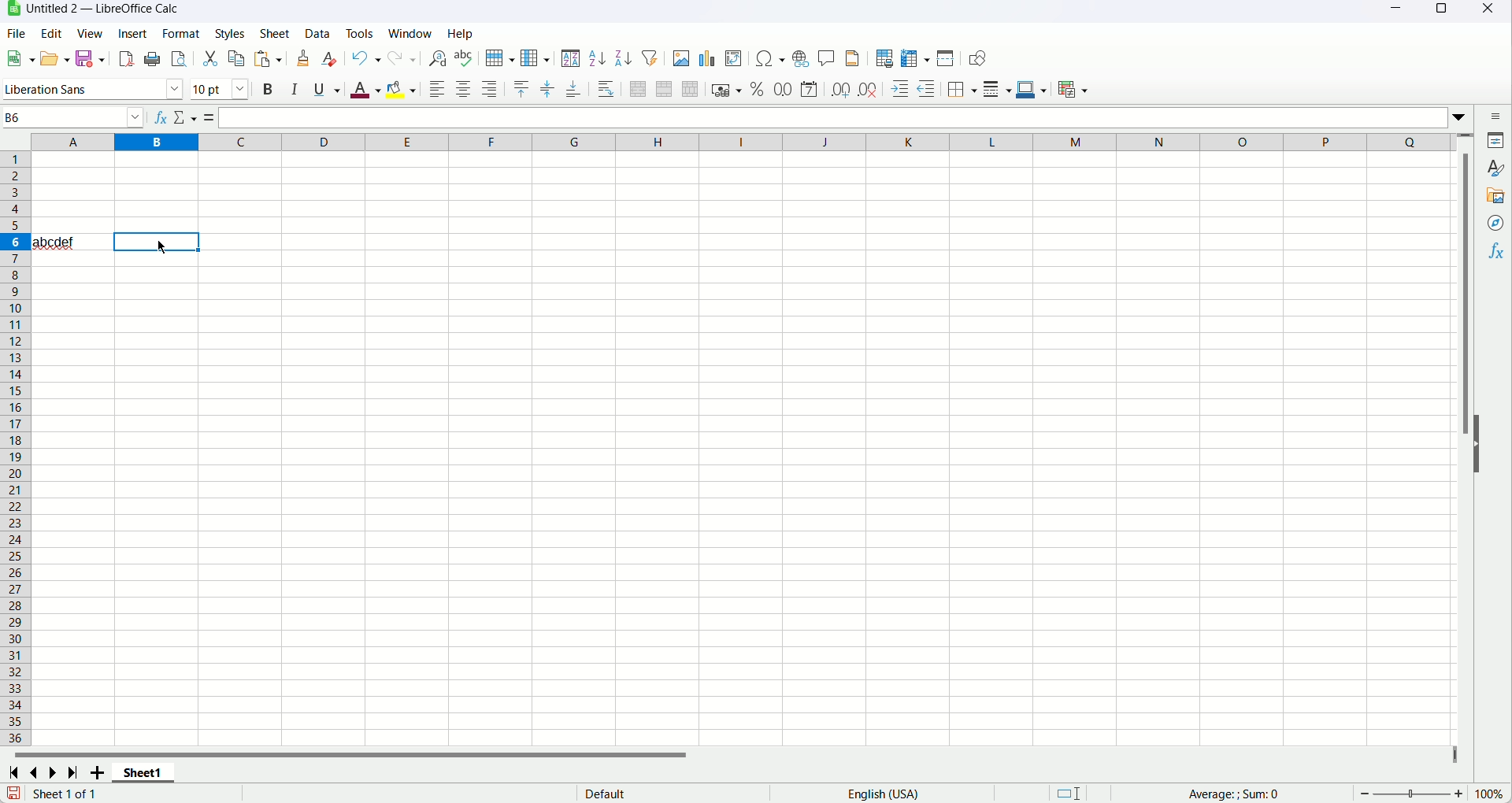 This screenshot has height=803, width=1512. What do you see at coordinates (1493, 9) in the screenshot?
I see `close` at bounding box center [1493, 9].